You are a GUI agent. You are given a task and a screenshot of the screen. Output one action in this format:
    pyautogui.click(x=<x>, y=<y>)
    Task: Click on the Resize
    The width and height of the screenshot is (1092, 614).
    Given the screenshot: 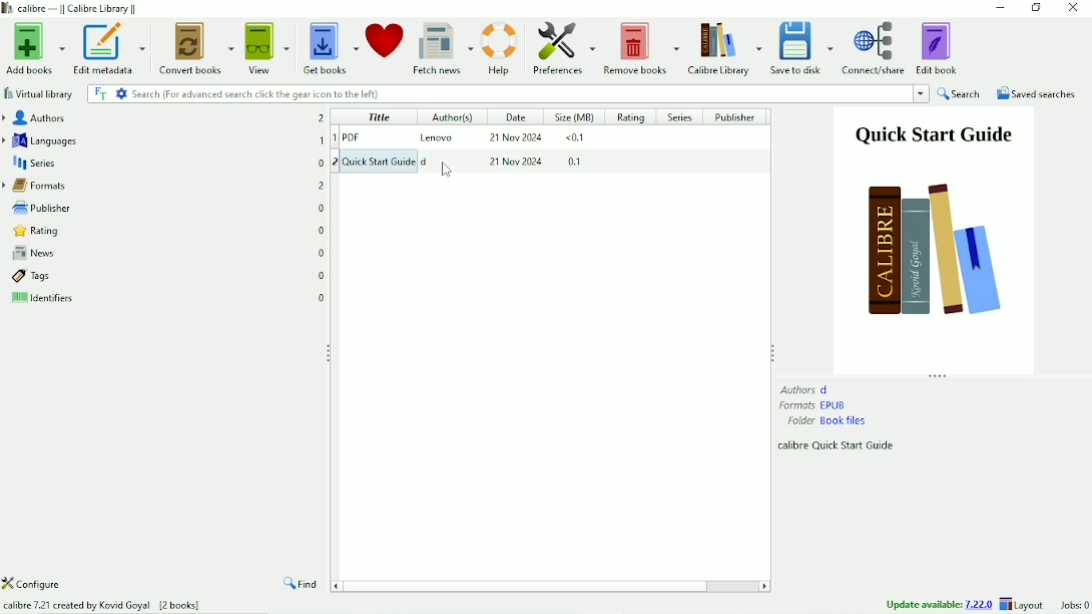 What is the action you would take?
    pyautogui.click(x=939, y=376)
    